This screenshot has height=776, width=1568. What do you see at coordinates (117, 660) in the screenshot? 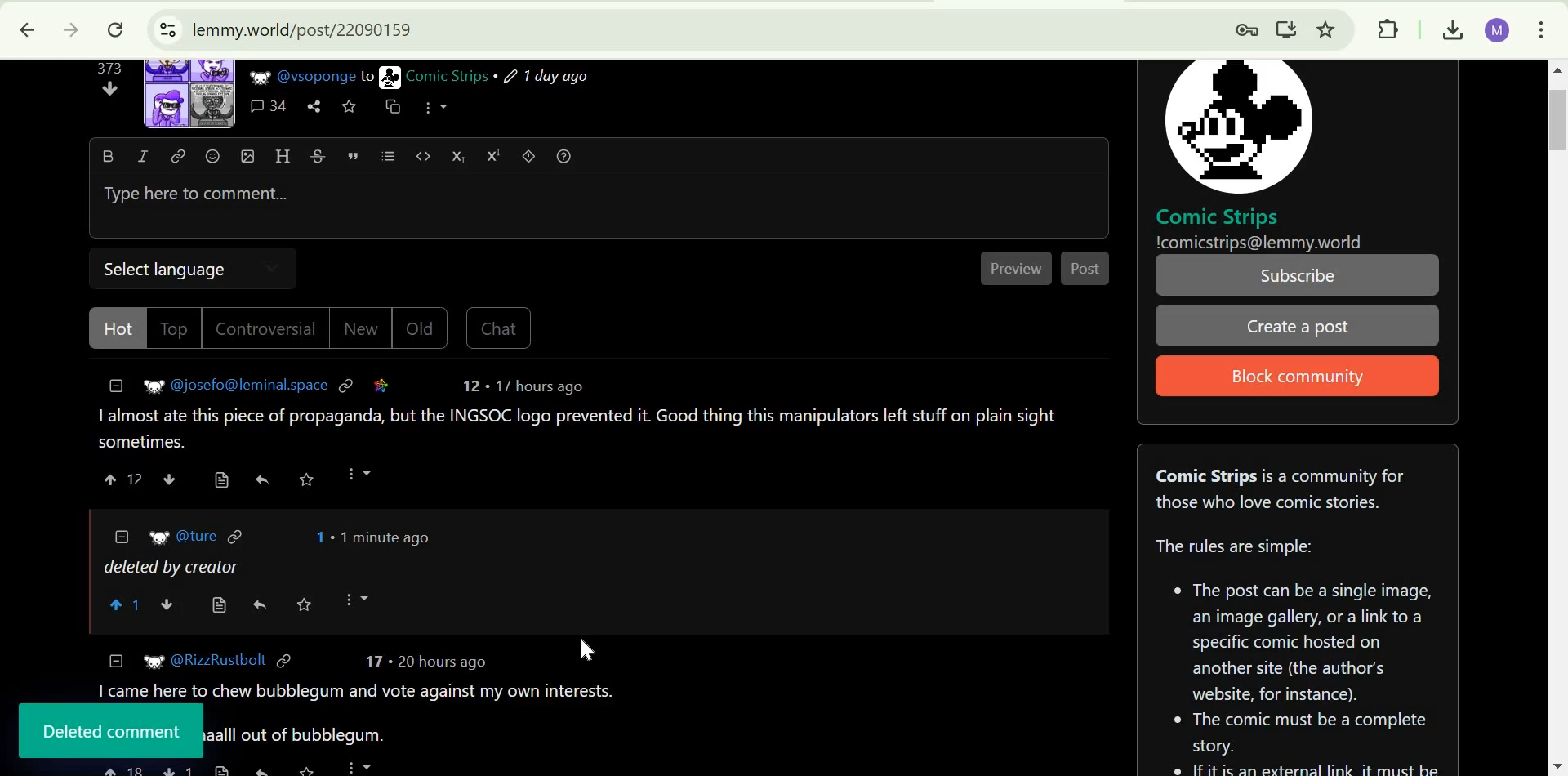
I see `collapse` at bounding box center [117, 660].